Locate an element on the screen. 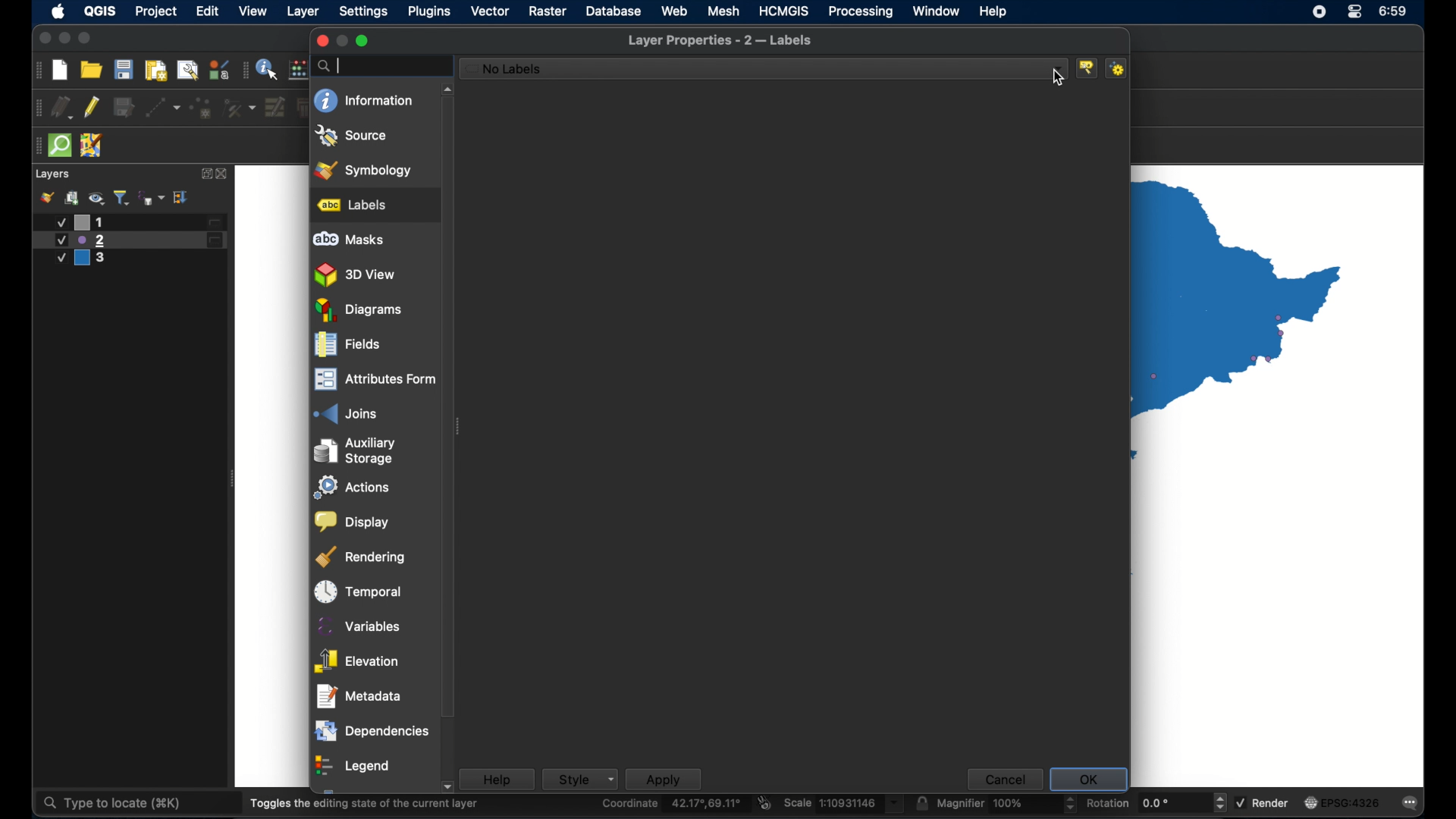 The width and height of the screenshot is (1456, 819). expand is located at coordinates (182, 198).